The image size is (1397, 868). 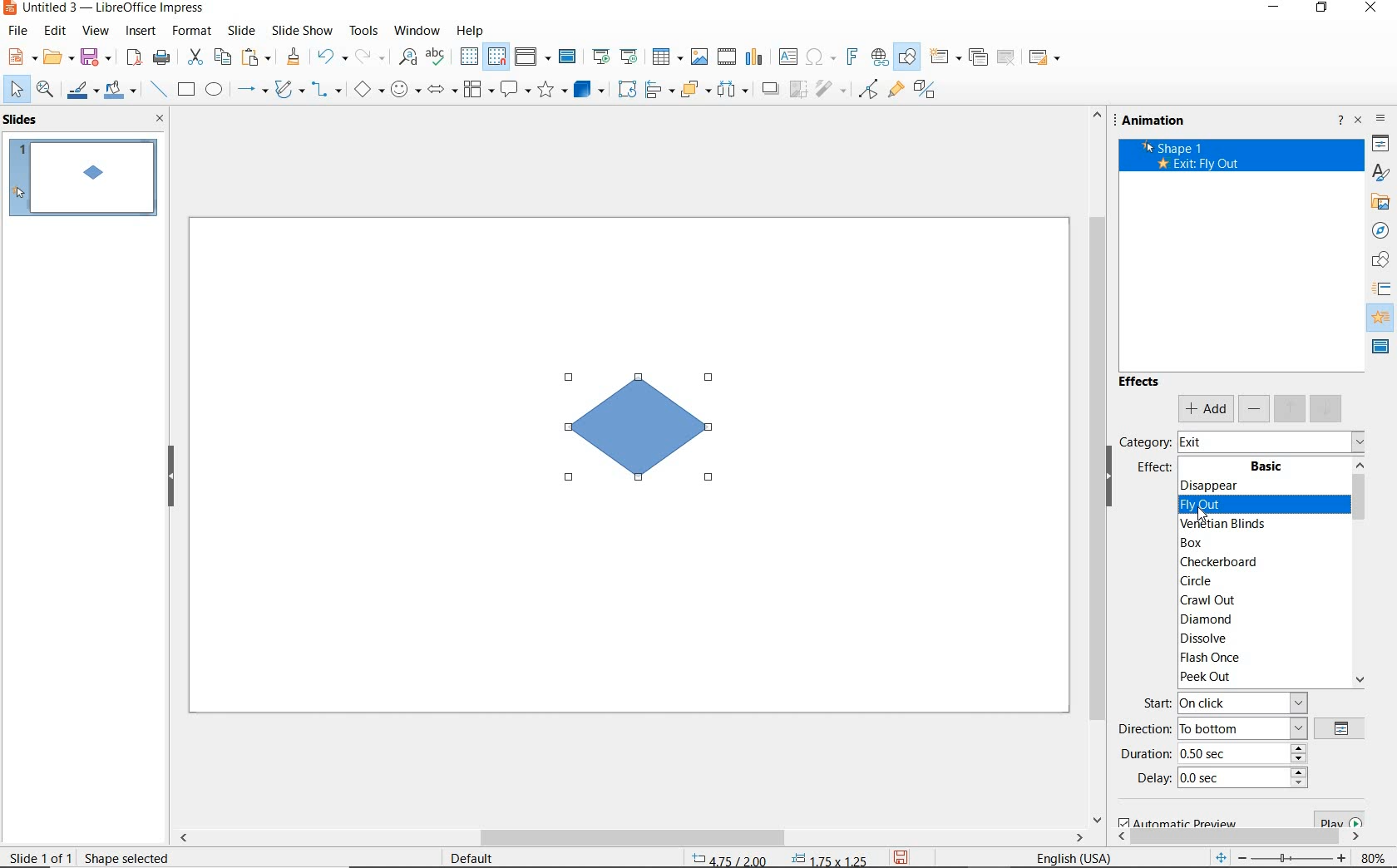 I want to click on export as pdf, so click(x=134, y=57).